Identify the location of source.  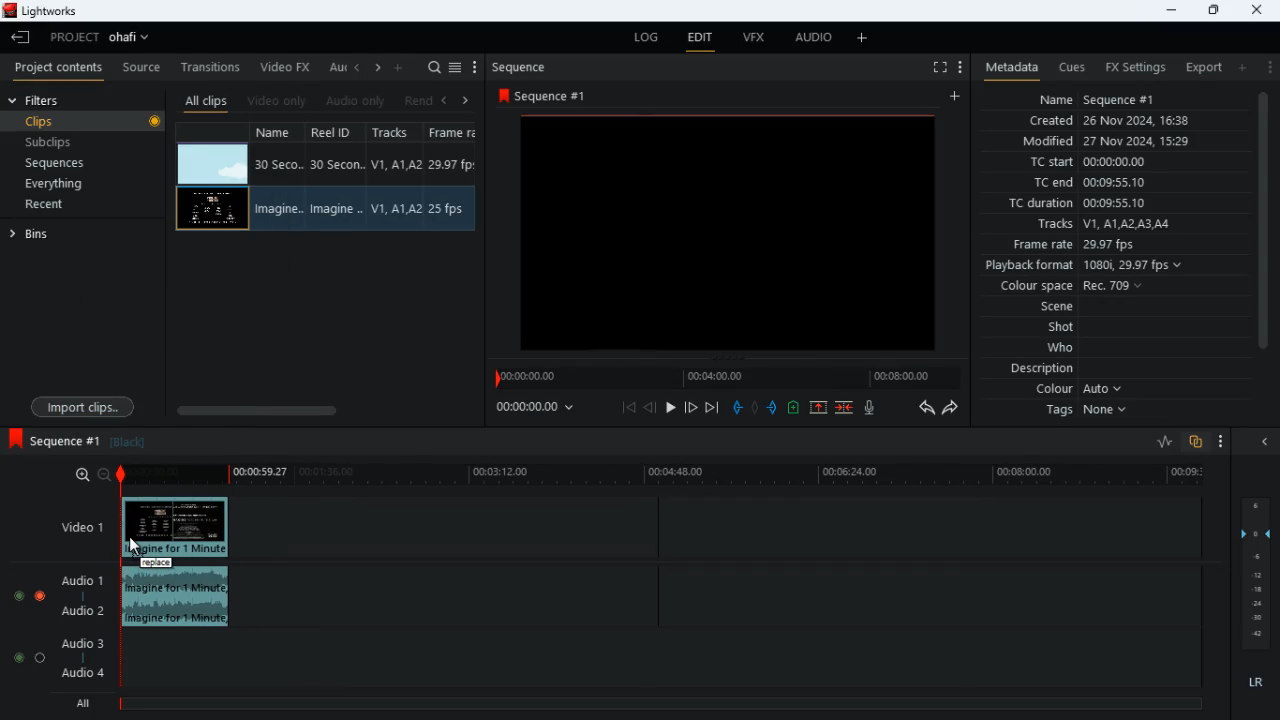
(141, 68).